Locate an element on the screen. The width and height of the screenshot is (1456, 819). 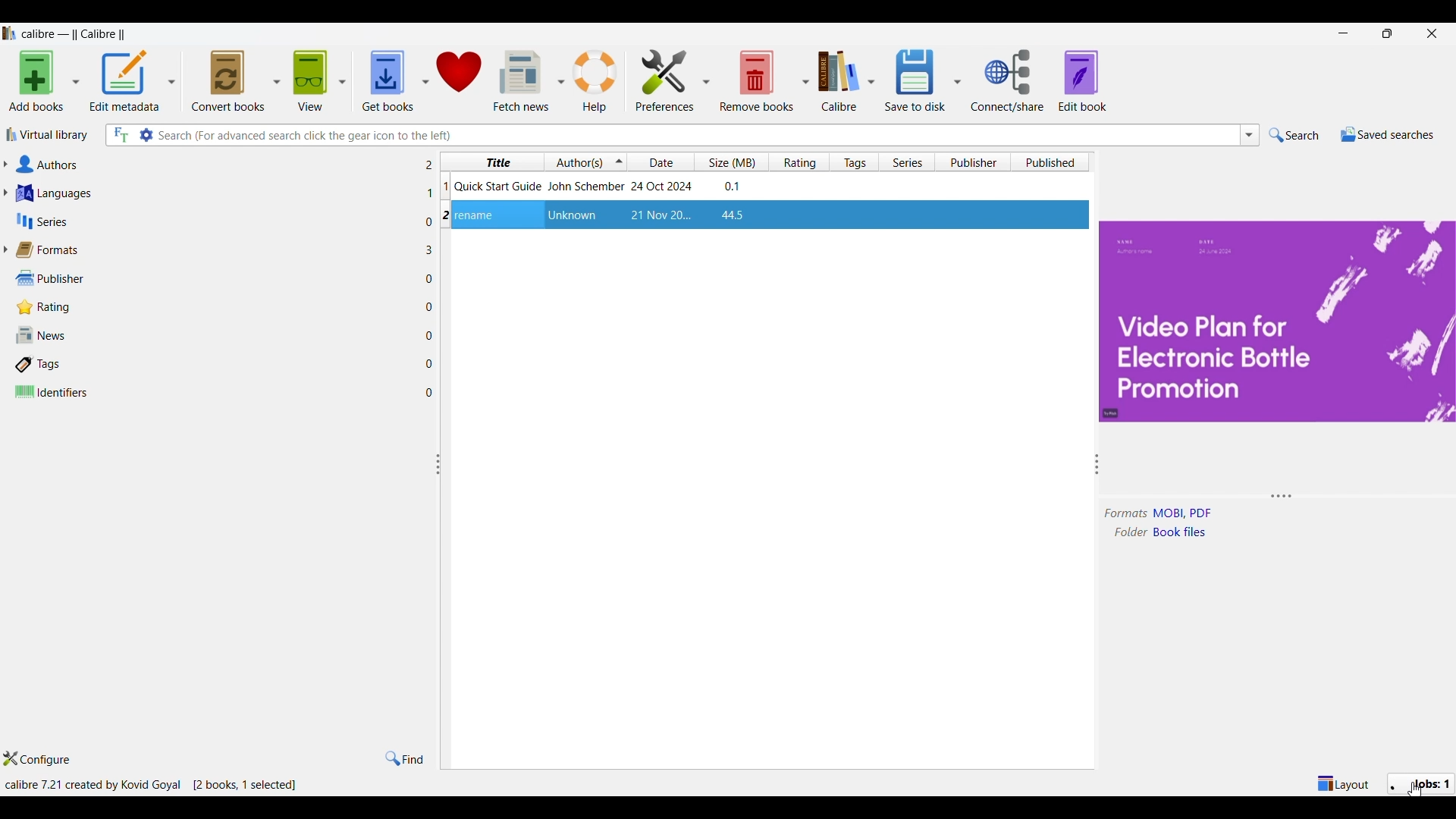
View is located at coordinates (310, 81).